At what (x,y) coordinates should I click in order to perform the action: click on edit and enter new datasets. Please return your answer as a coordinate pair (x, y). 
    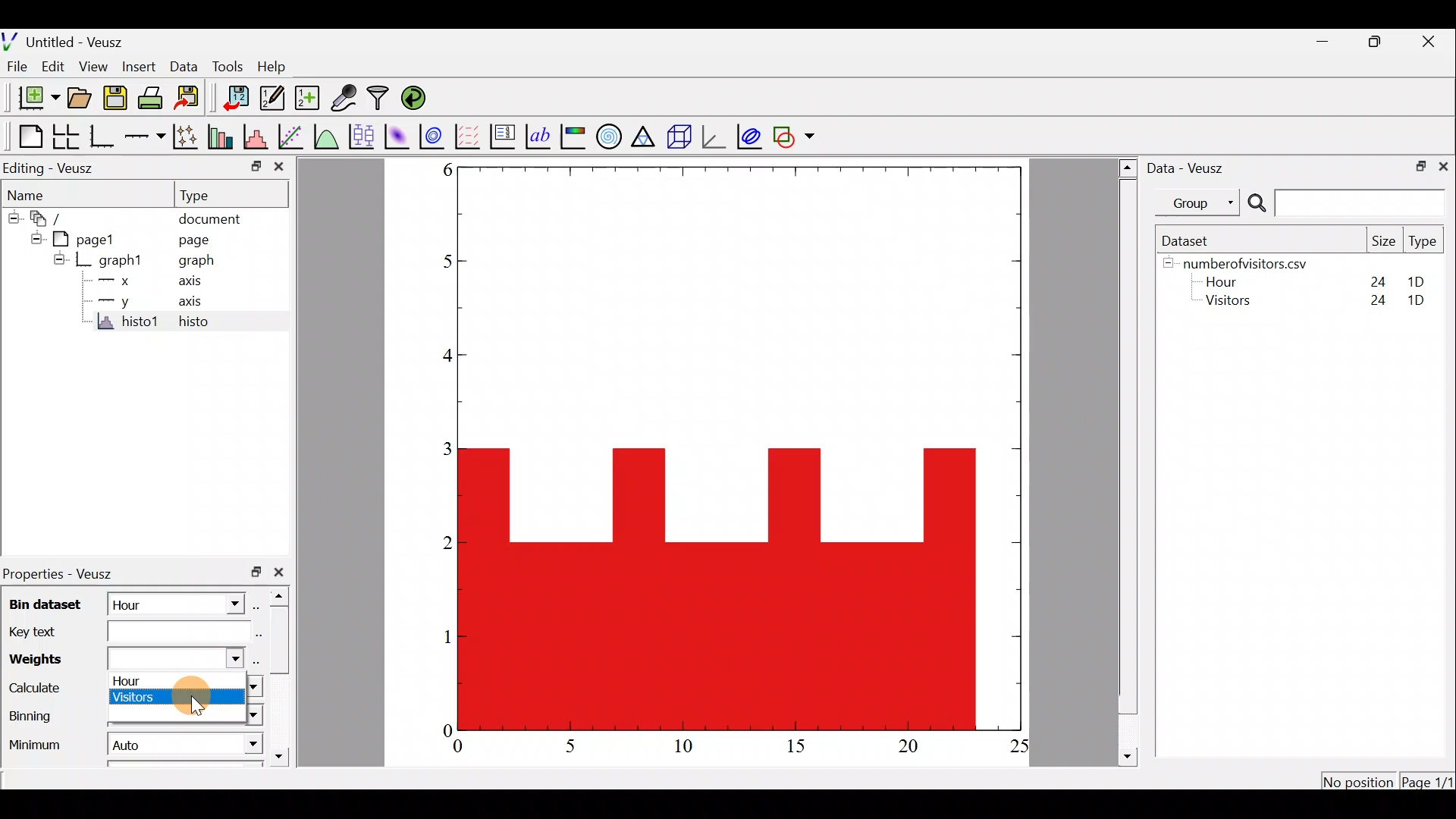
    Looking at the image, I should click on (272, 99).